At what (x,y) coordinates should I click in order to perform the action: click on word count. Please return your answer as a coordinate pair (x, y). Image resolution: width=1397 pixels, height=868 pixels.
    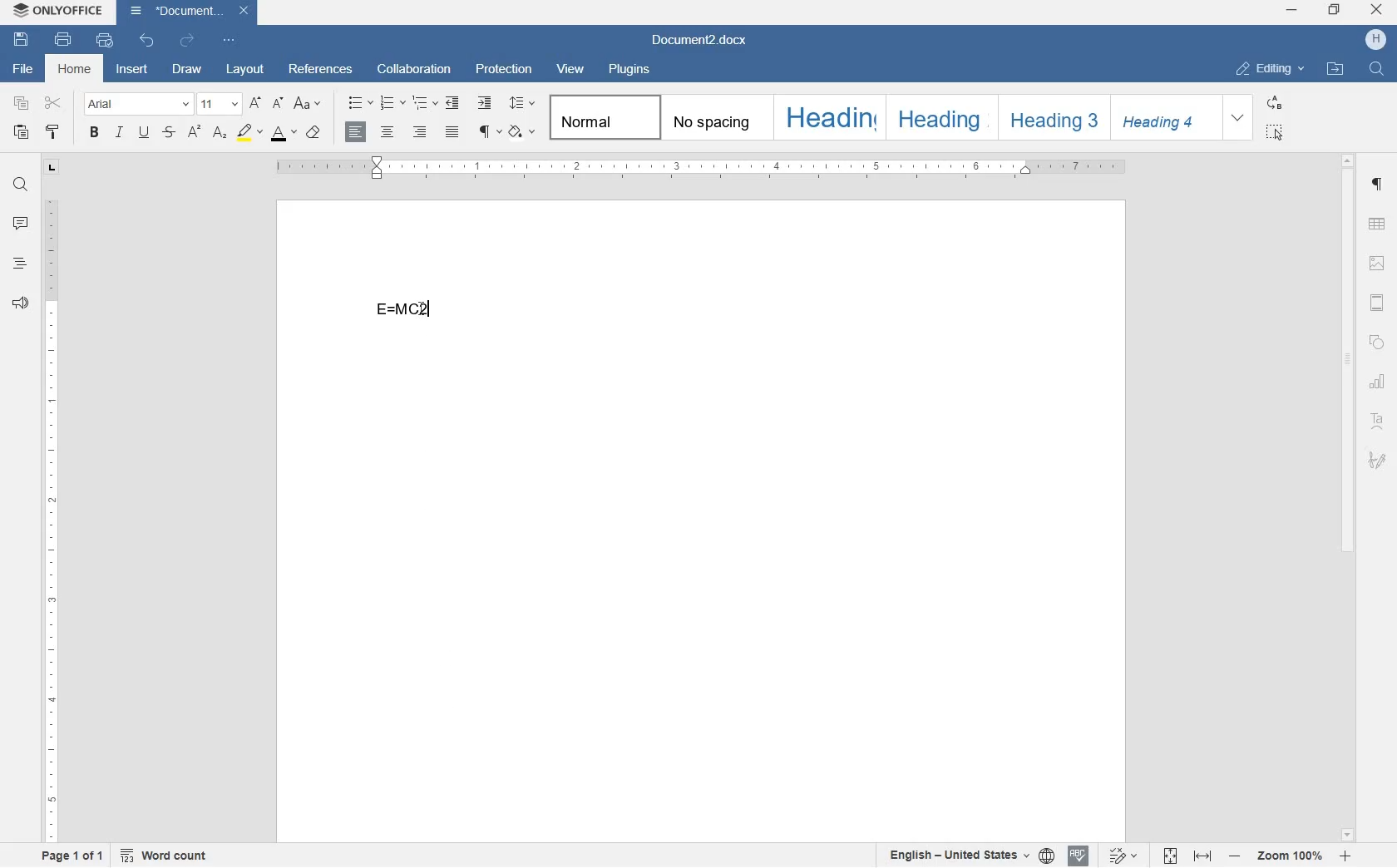
    Looking at the image, I should click on (166, 856).